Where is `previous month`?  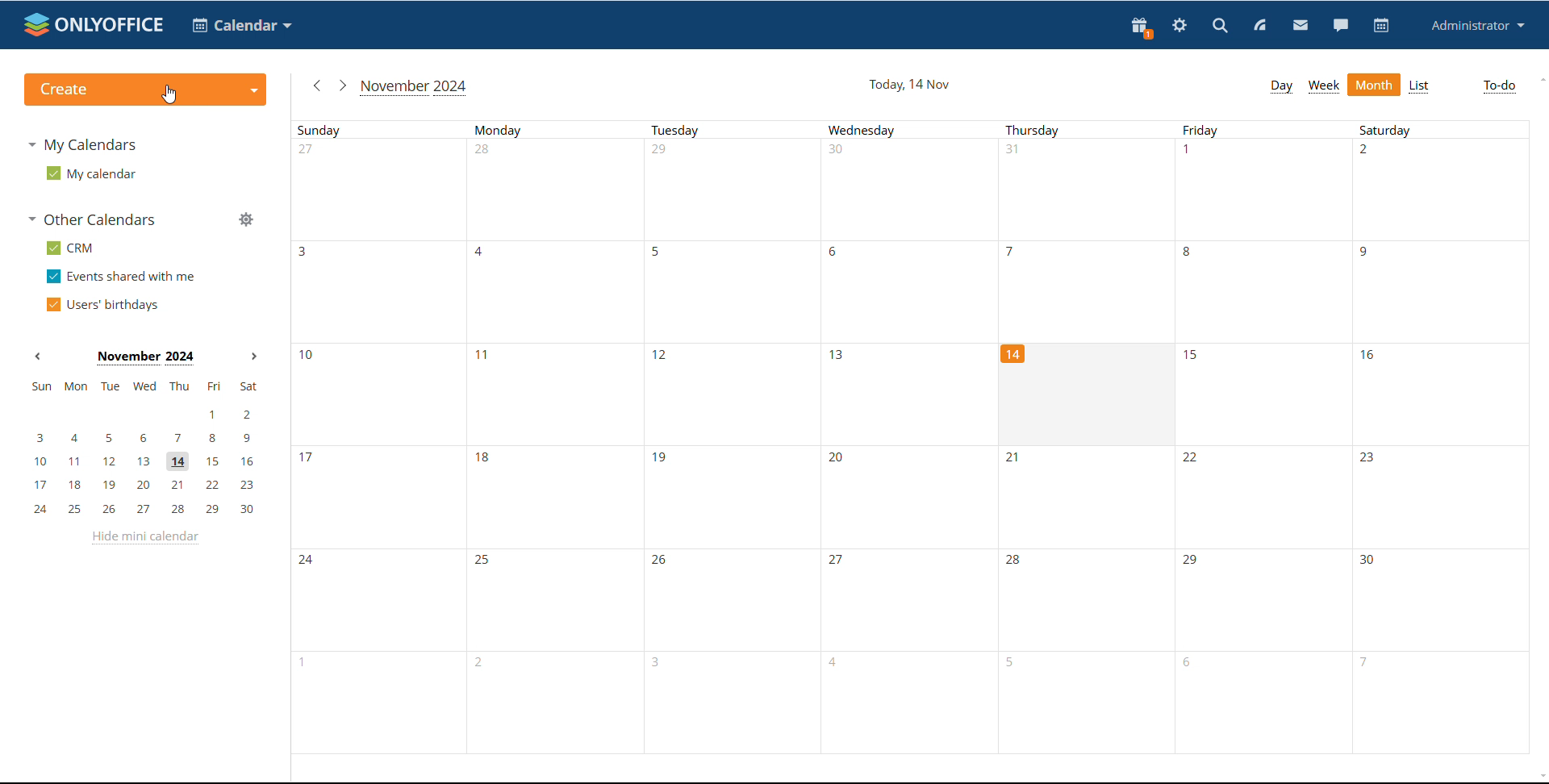
previous month is located at coordinates (37, 355).